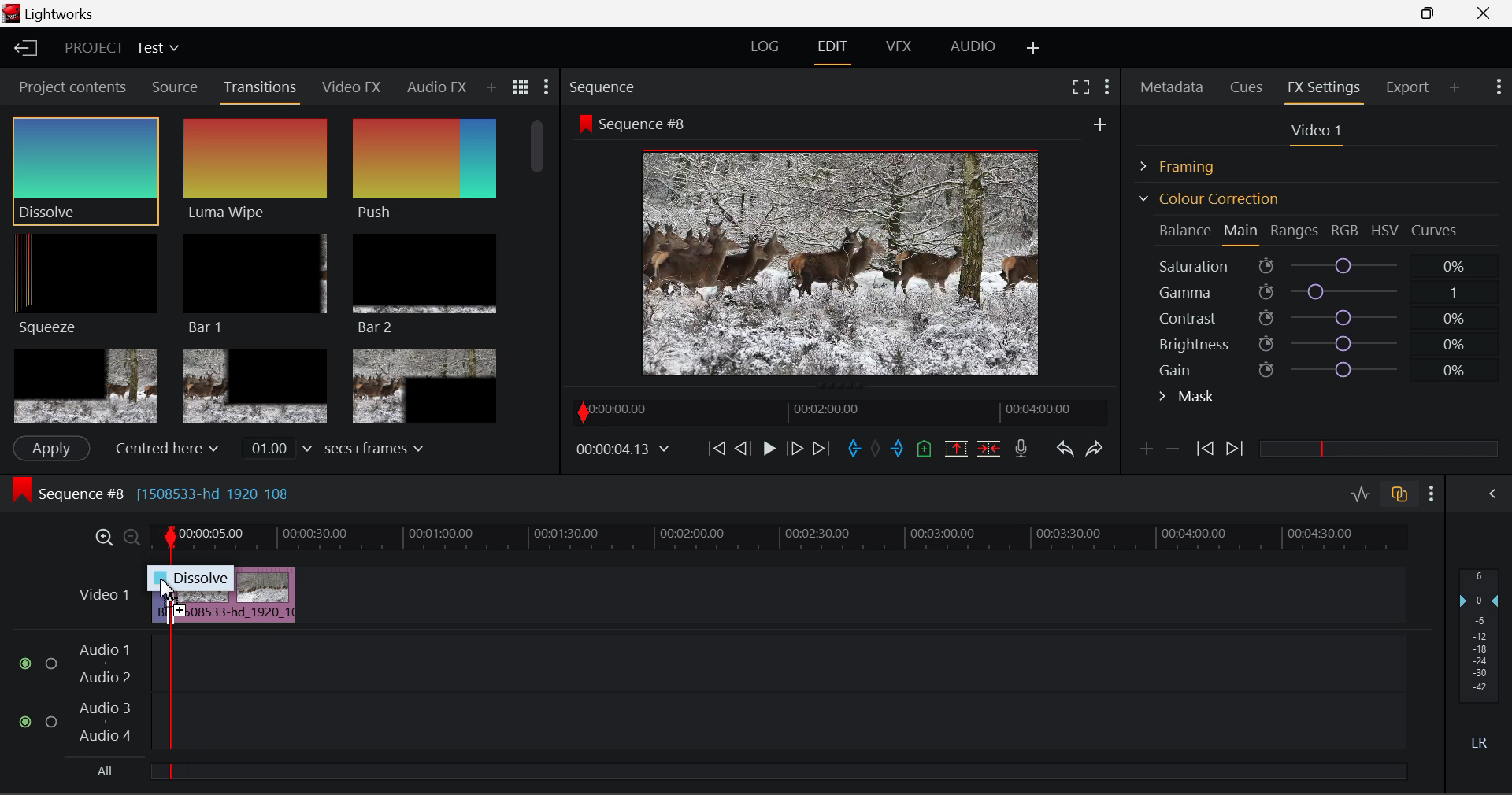  What do you see at coordinates (169, 590) in the screenshot?
I see `DRAG_TO Cursor Position` at bounding box center [169, 590].